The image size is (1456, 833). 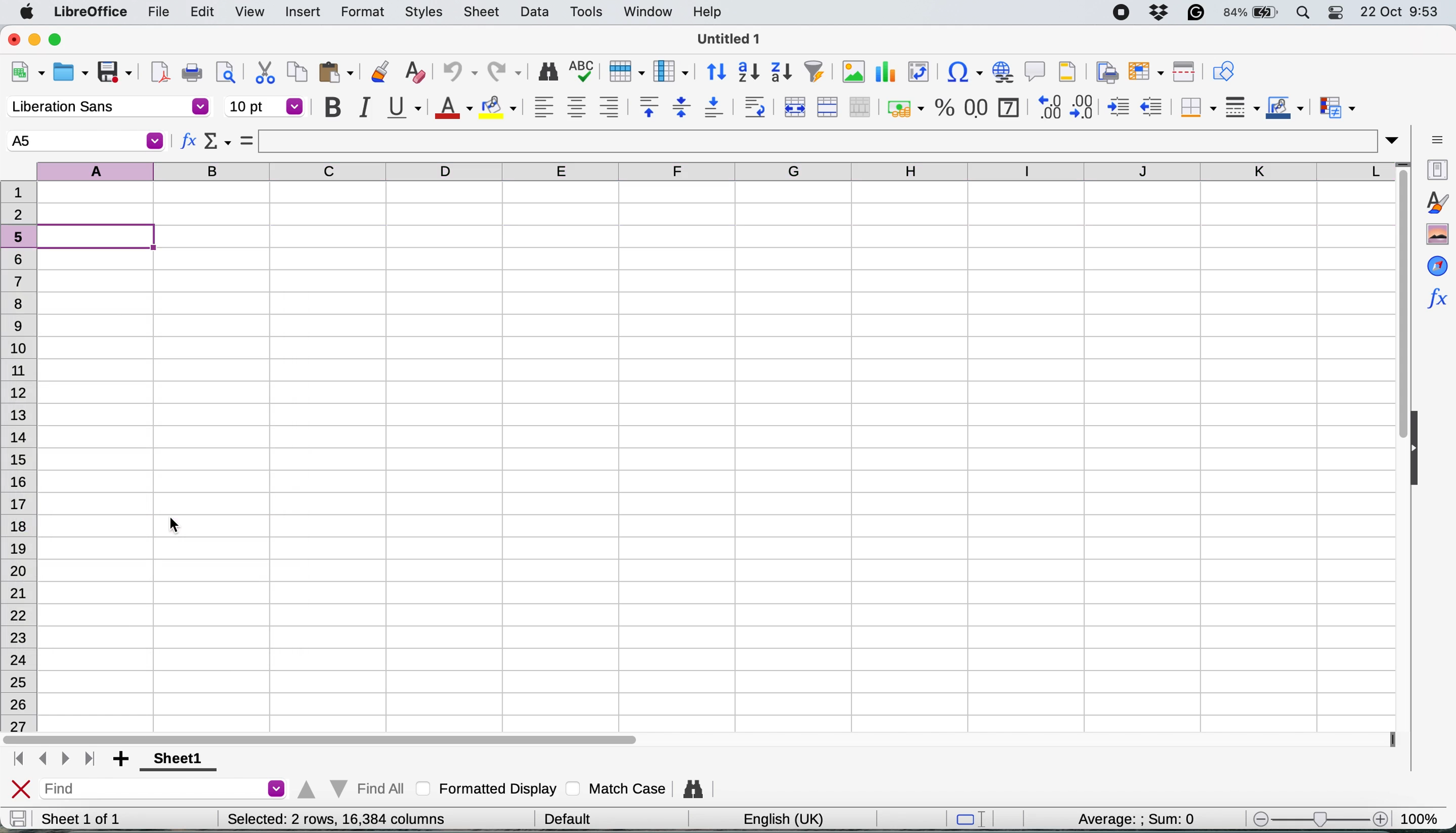 What do you see at coordinates (608, 107) in the screenshot?
I see `align right` at bounding box center [608, 107].